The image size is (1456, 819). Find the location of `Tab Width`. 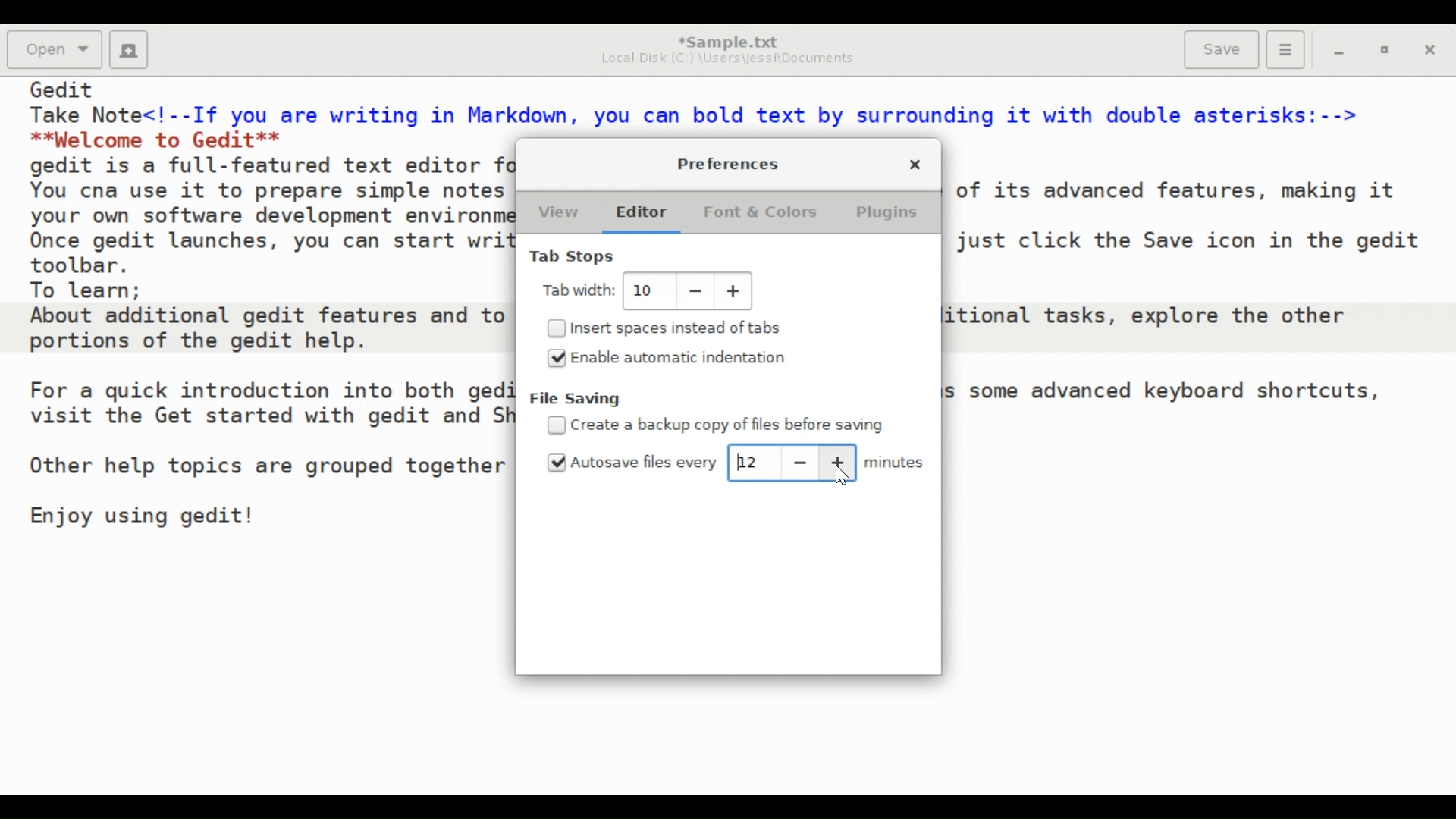

Tab Width is located at coordinates (579, 290).